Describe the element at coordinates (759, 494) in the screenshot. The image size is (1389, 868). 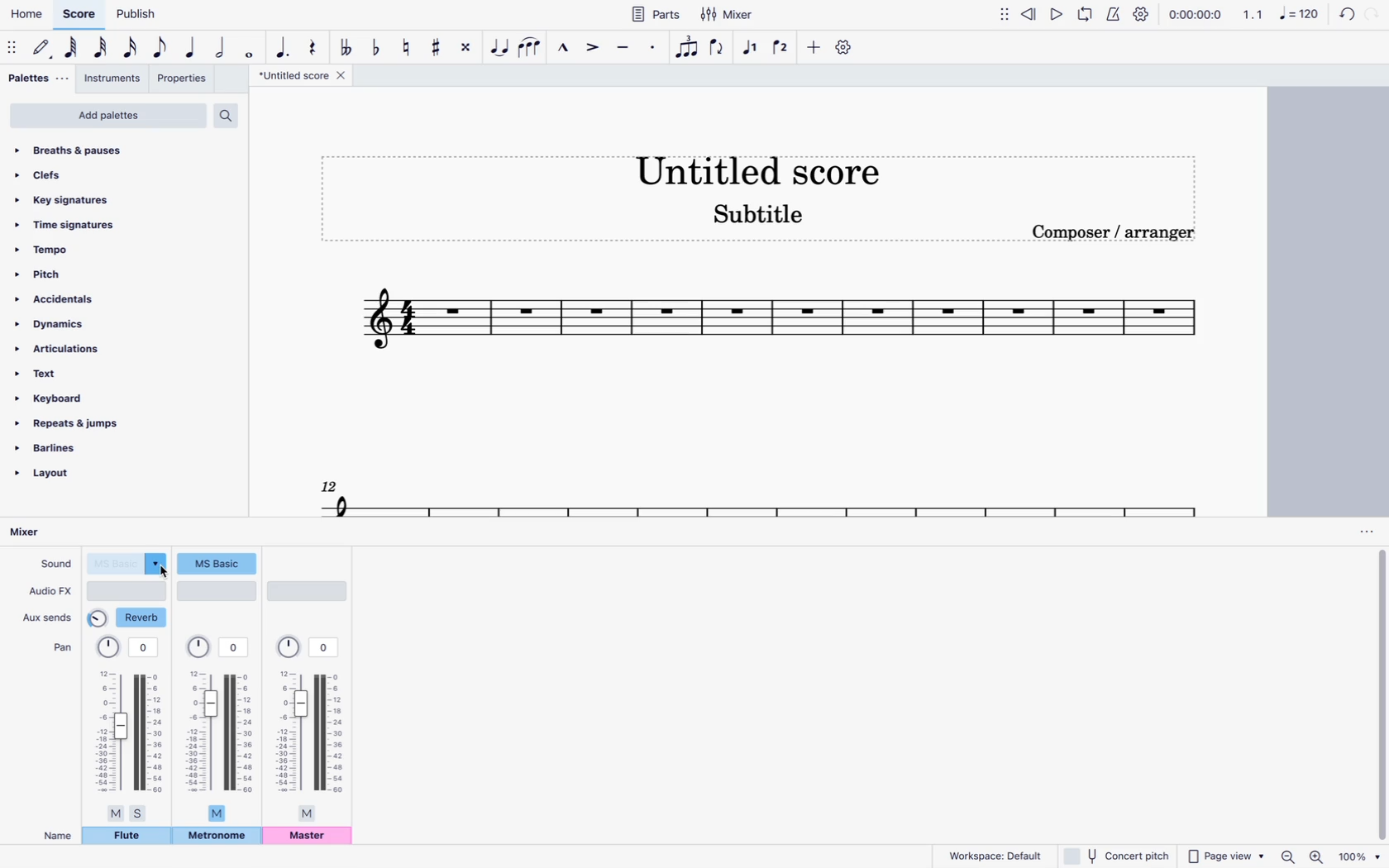
I see `scale` at that location.